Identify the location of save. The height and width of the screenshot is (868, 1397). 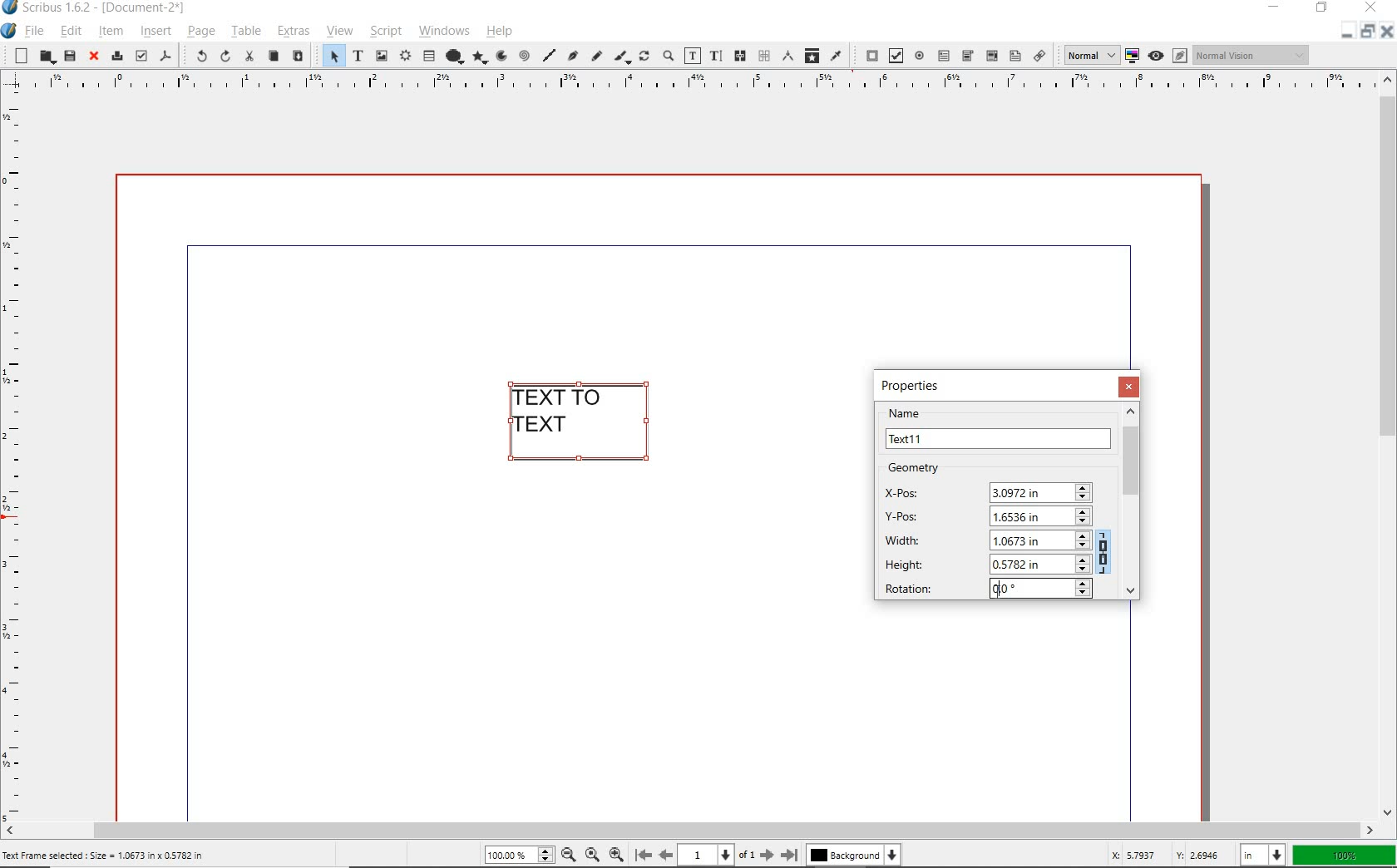
(69, 57).